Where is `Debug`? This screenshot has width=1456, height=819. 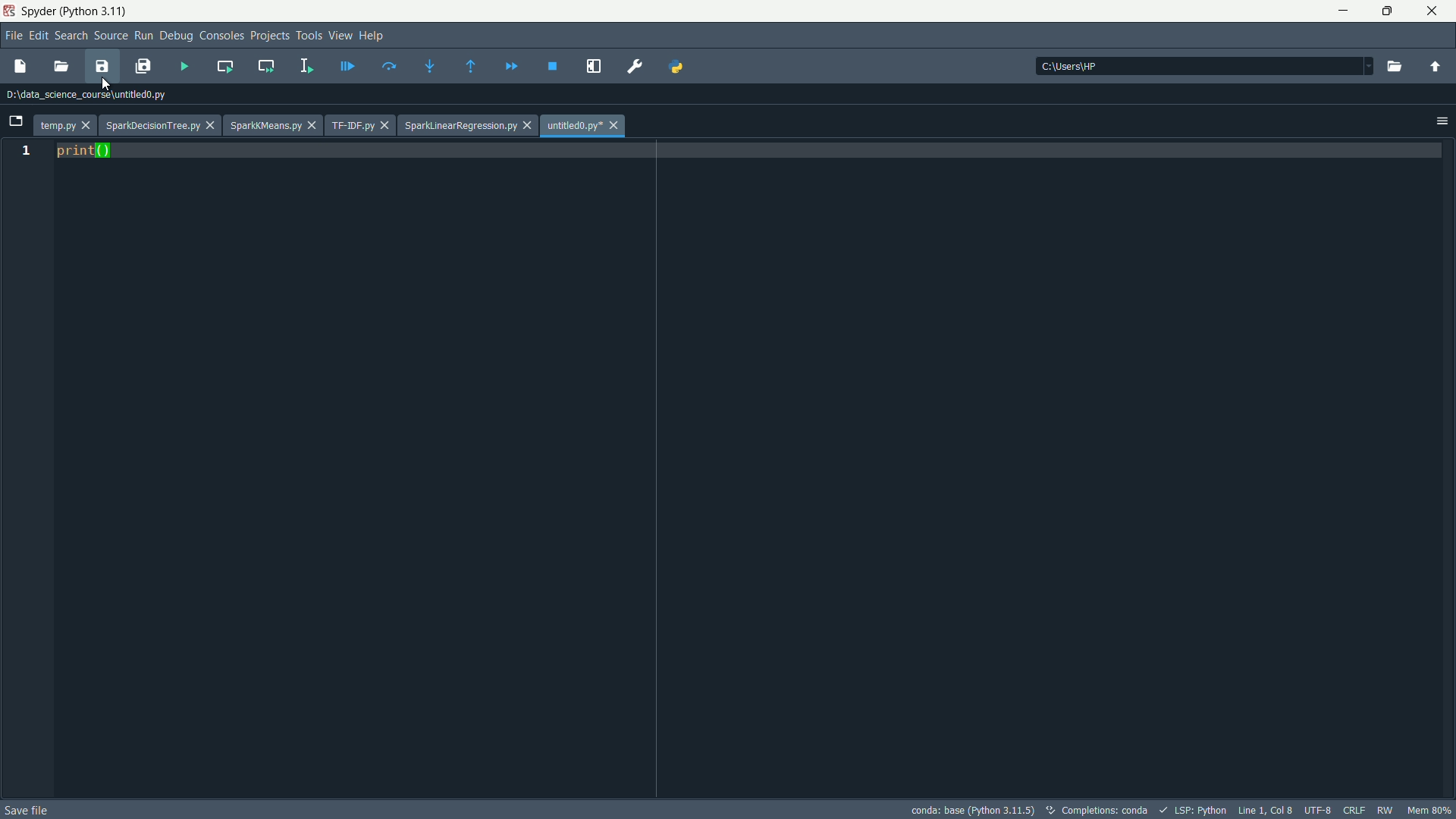
Debug is located at coordinates (175, 36).